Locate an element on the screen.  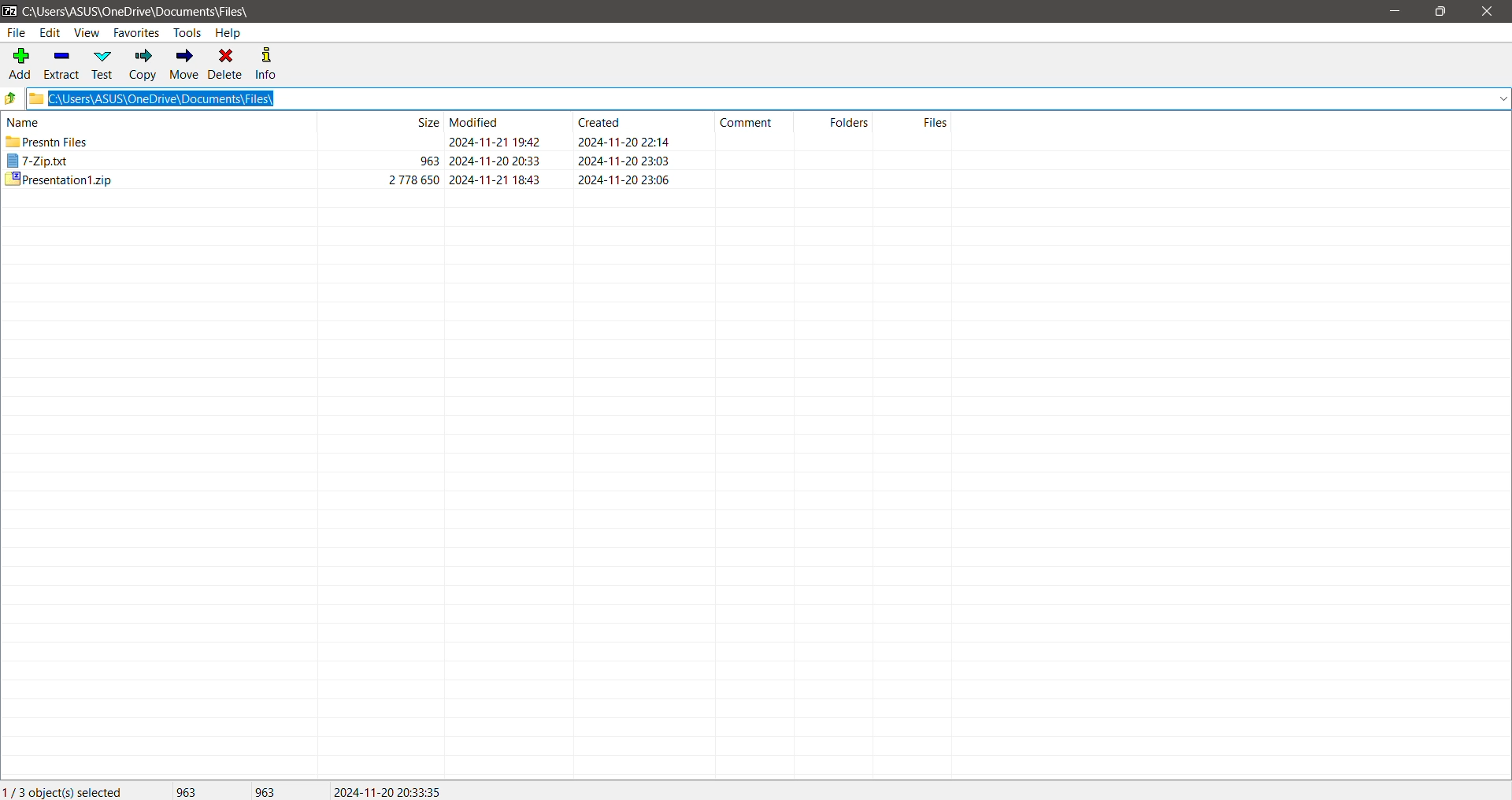
Help is located at coordinates (228, 32).